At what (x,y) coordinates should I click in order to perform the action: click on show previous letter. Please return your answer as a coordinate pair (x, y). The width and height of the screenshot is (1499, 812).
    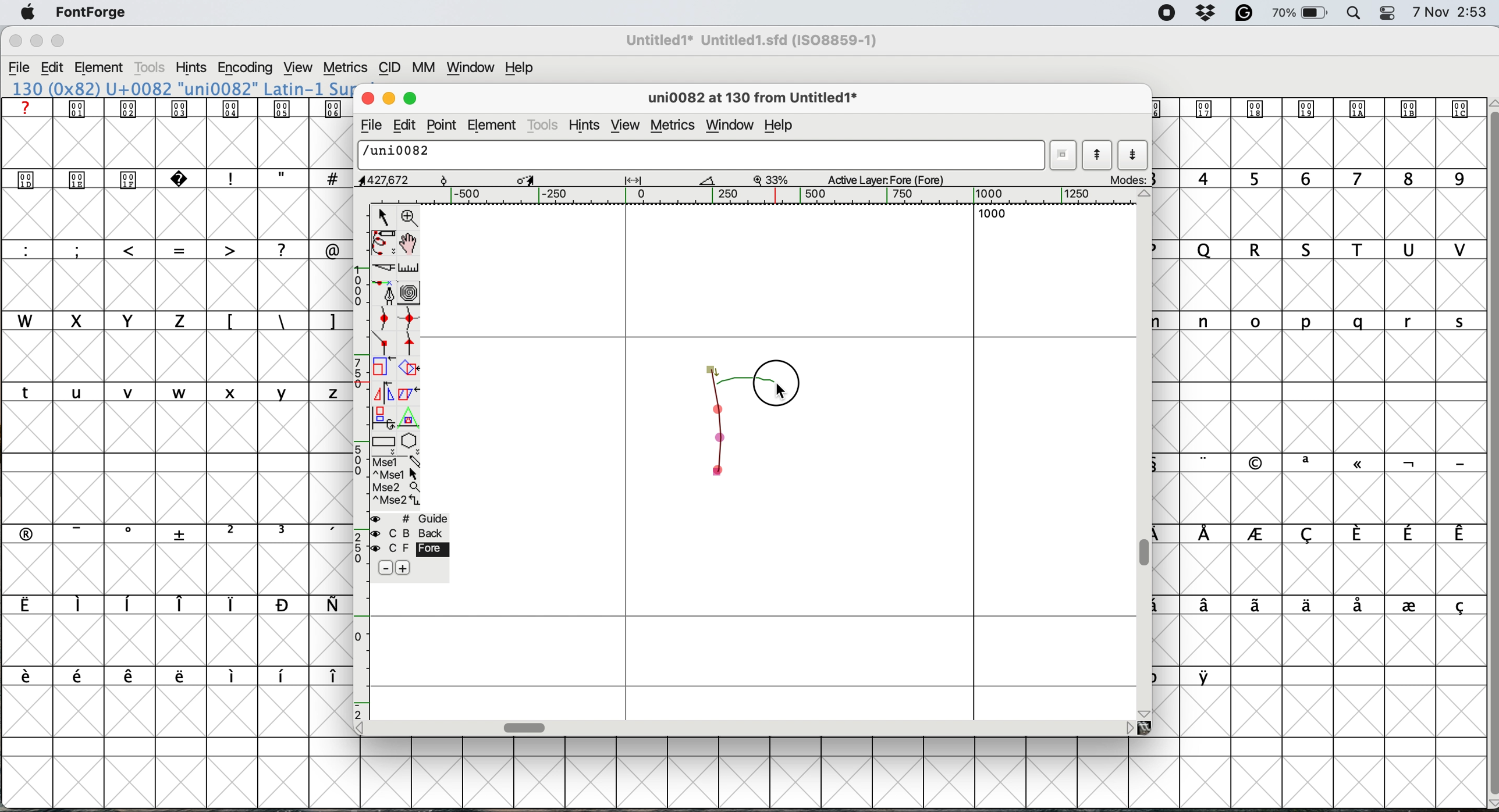
    Looking at the image, I should click on (1097, 155).